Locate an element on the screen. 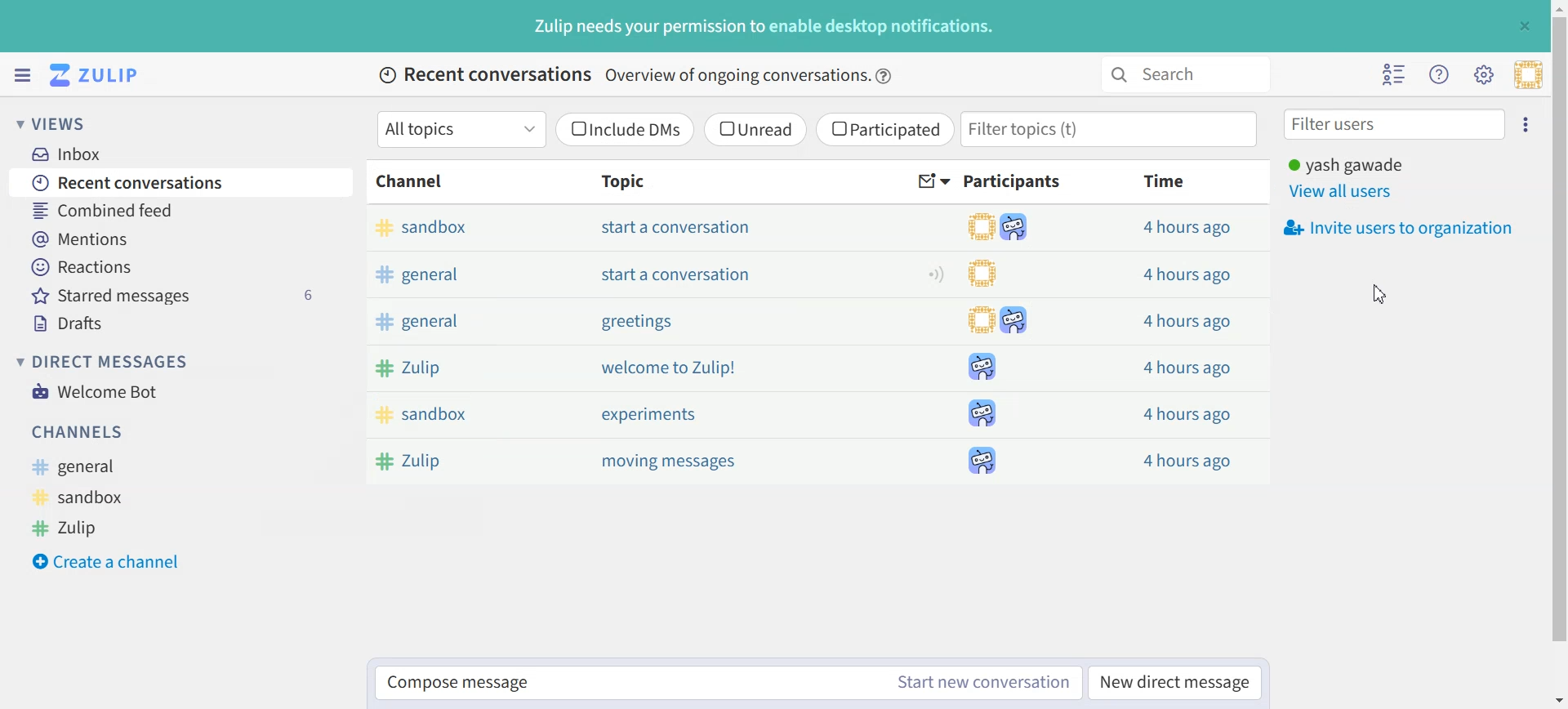 The image size is (1568, 709). Logo is located at coordinates (97, 75).